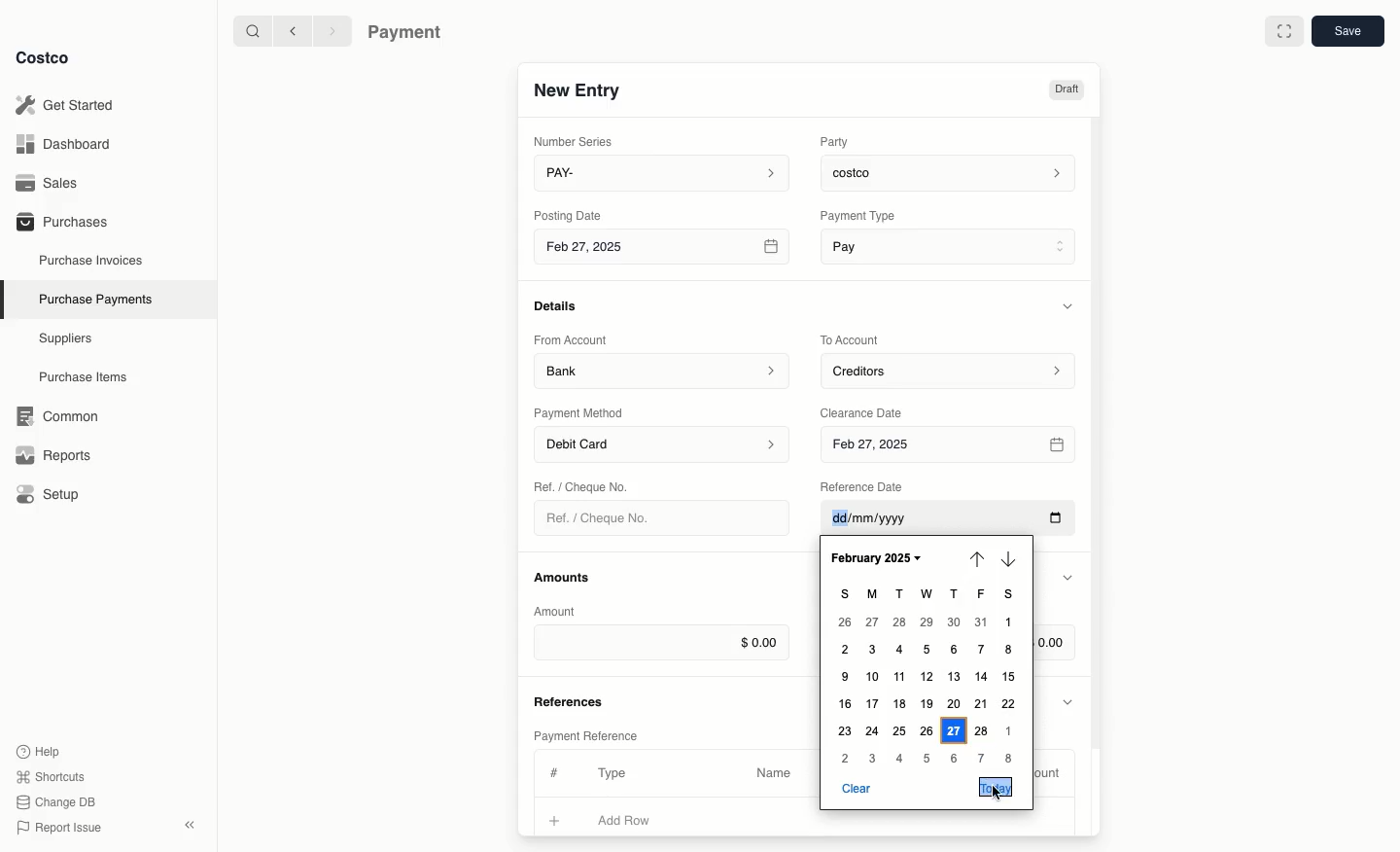 The image size is (1400, 852). What do you see at coordinates (252, 29) in the screenshot?
I see `Search` at bounding box center [252, 29].